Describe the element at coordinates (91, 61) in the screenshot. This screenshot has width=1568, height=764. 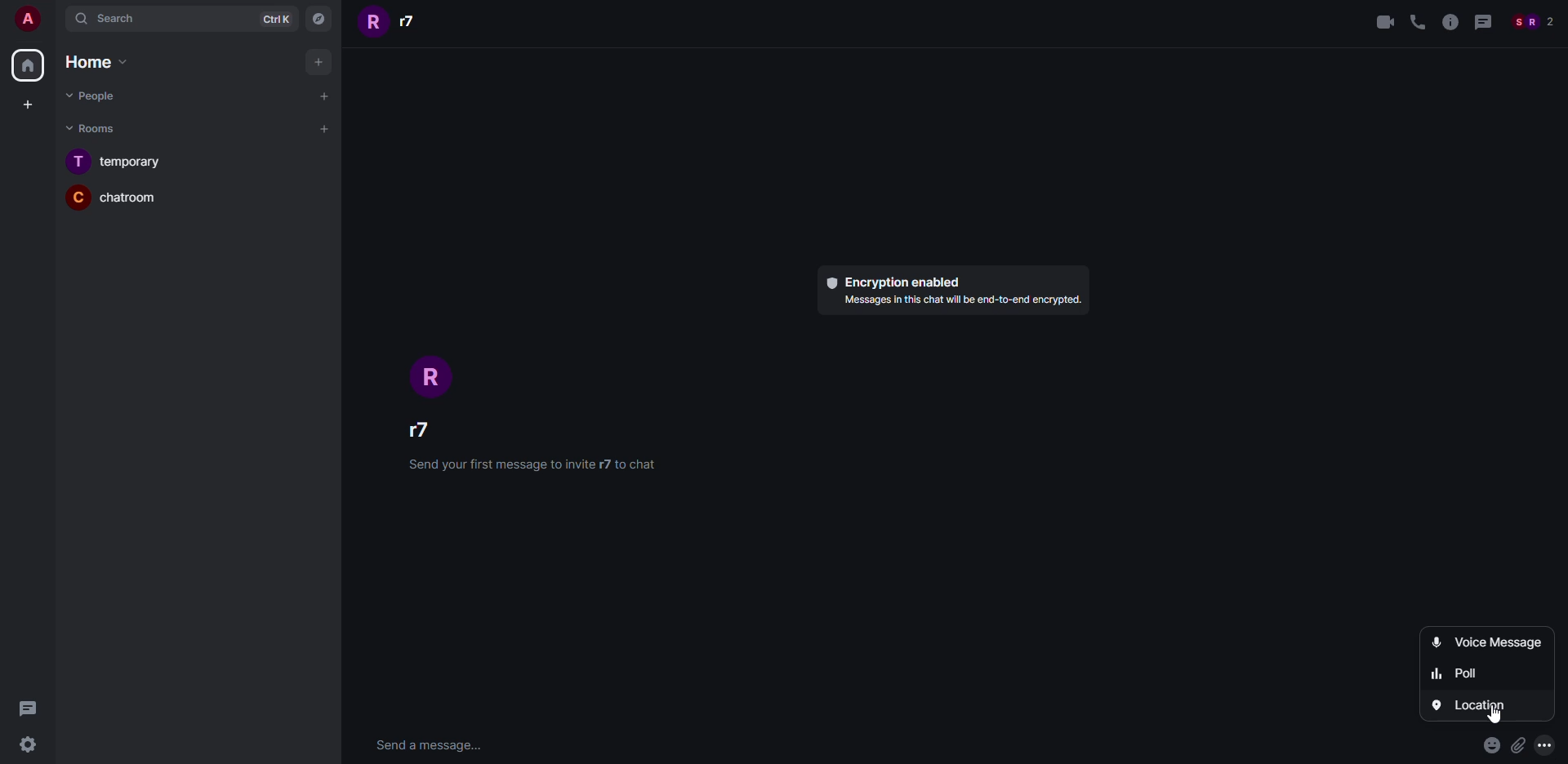
I see `Home` at that location.